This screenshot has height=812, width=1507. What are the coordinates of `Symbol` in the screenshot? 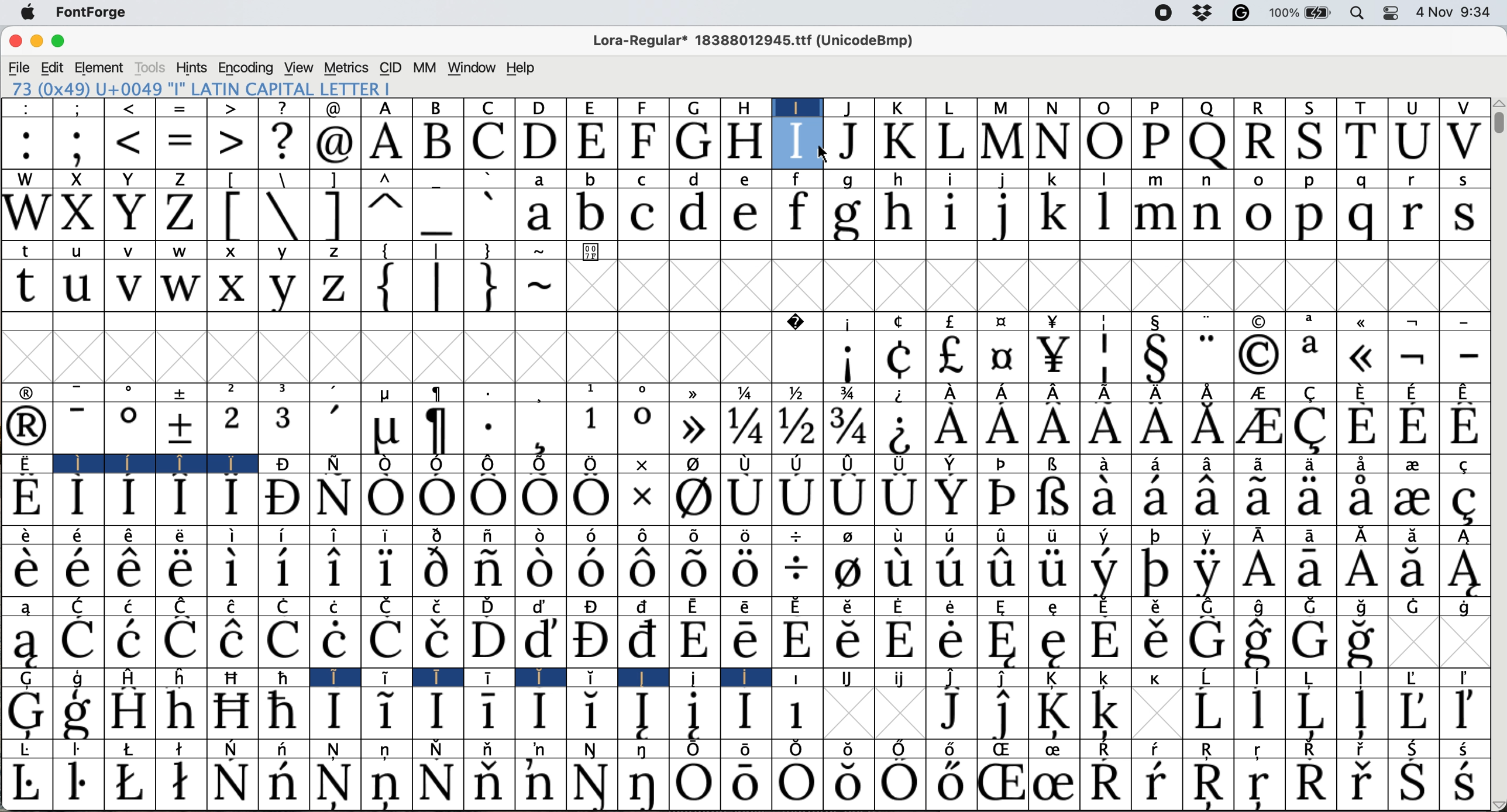 It's located at (539, 783).